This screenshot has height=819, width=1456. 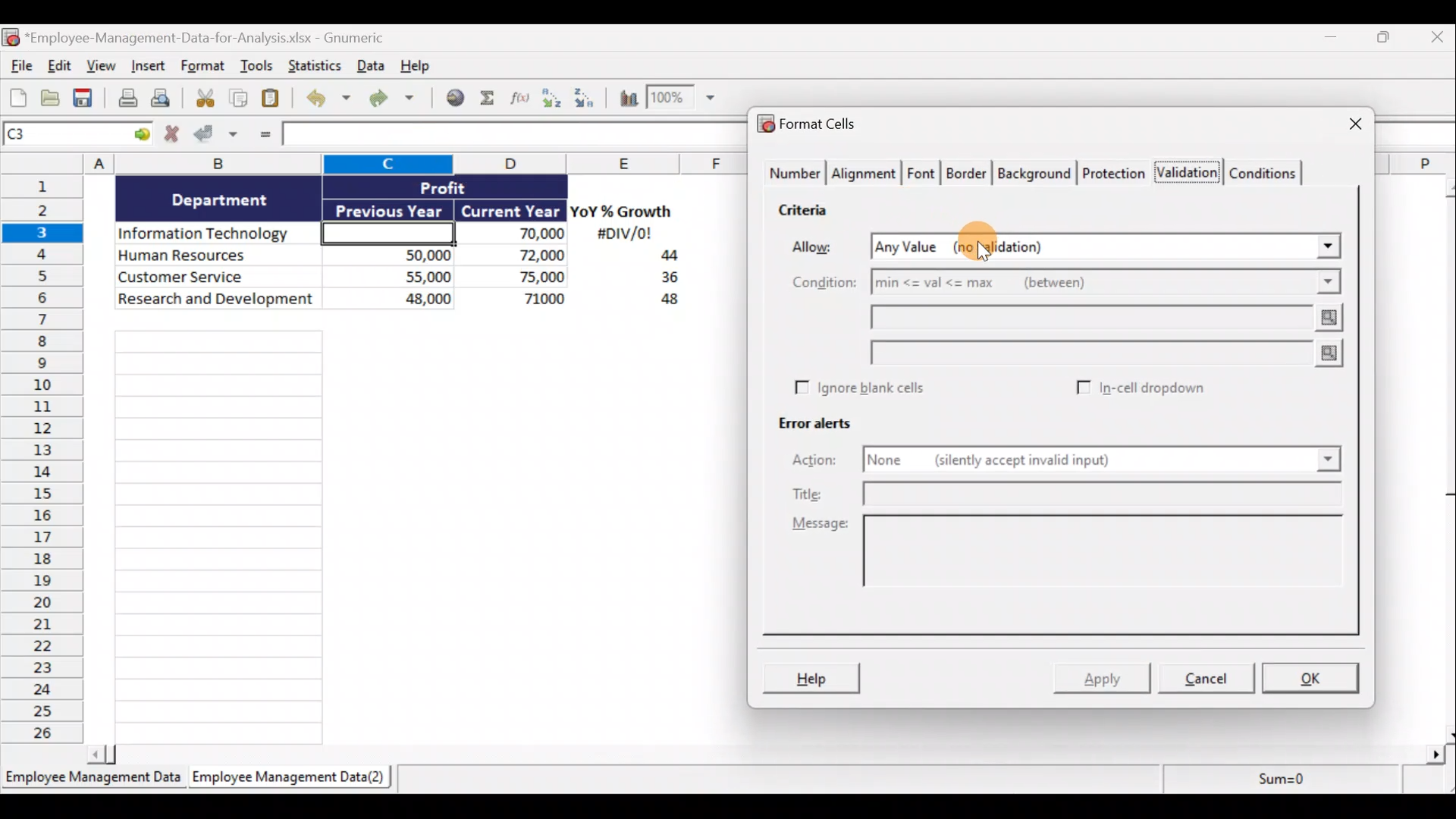 I want to click on min <= val <= max (between), so click(x=1086, y=285).